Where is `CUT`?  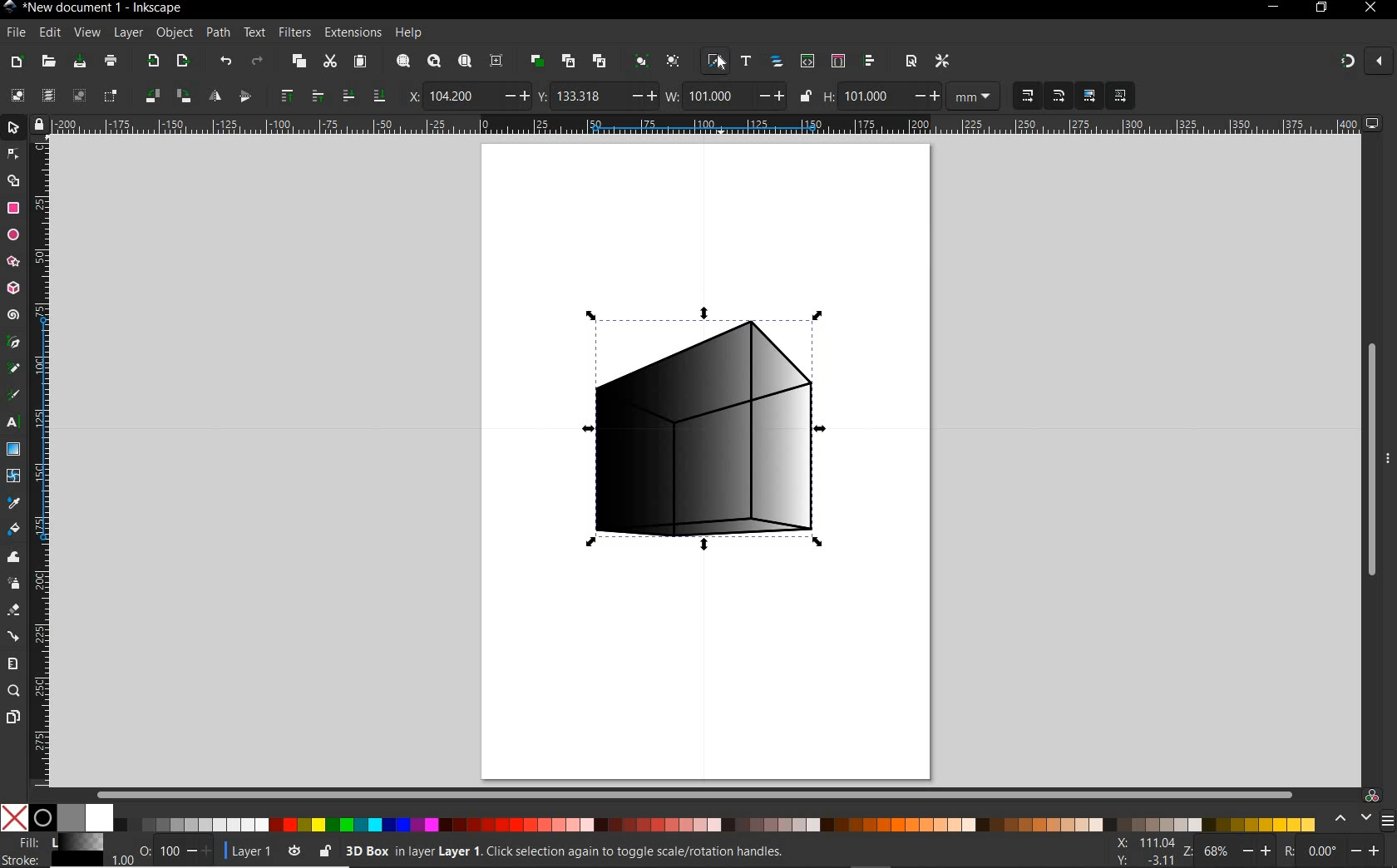 CUT is located at coordinates (330, 62).